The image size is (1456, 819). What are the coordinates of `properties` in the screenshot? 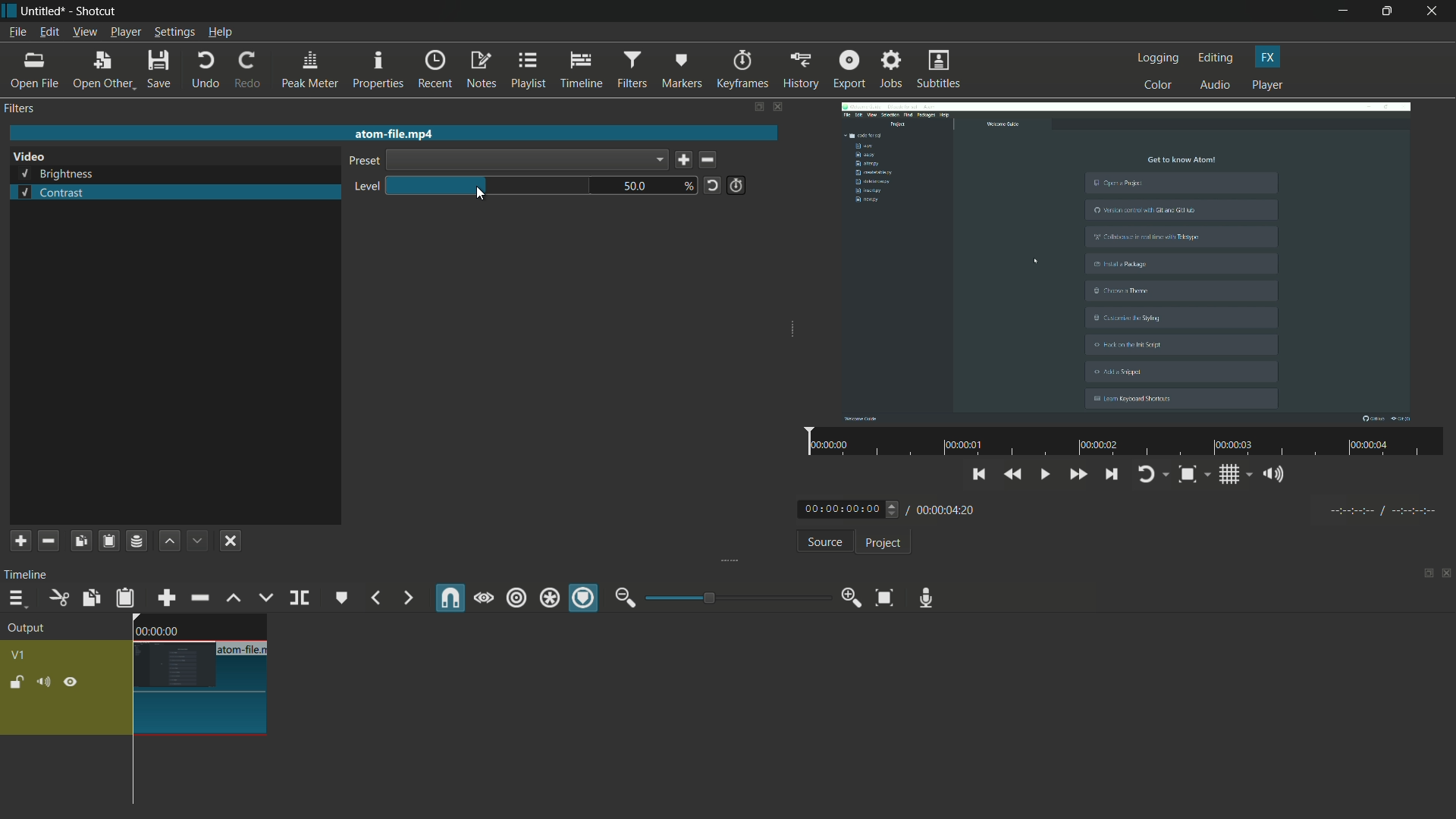 It's located at (378, 71).